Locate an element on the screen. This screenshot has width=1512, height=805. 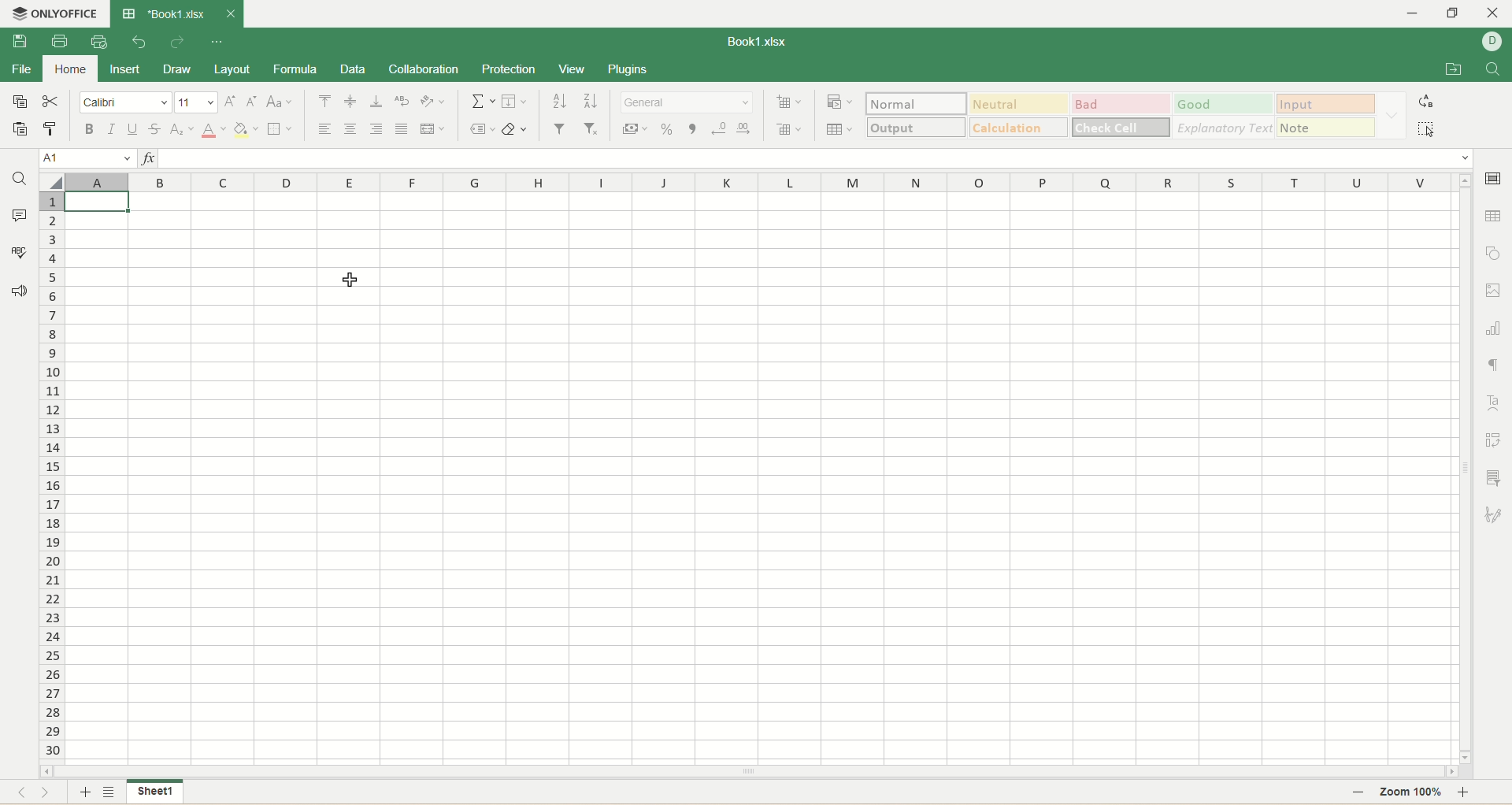
print is located at coordinates (61, 43).